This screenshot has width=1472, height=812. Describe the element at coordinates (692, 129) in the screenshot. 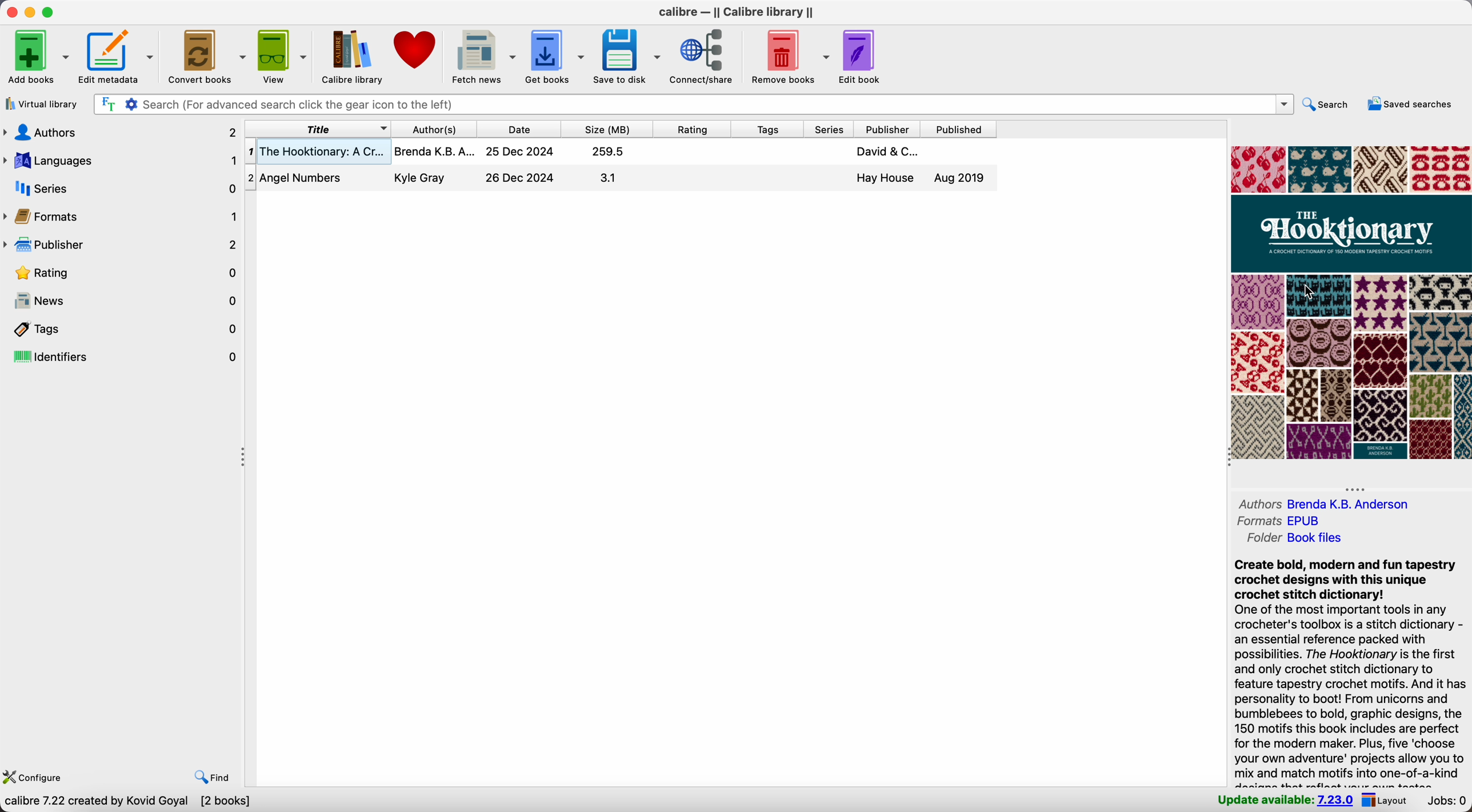

I see `rating` at that location.